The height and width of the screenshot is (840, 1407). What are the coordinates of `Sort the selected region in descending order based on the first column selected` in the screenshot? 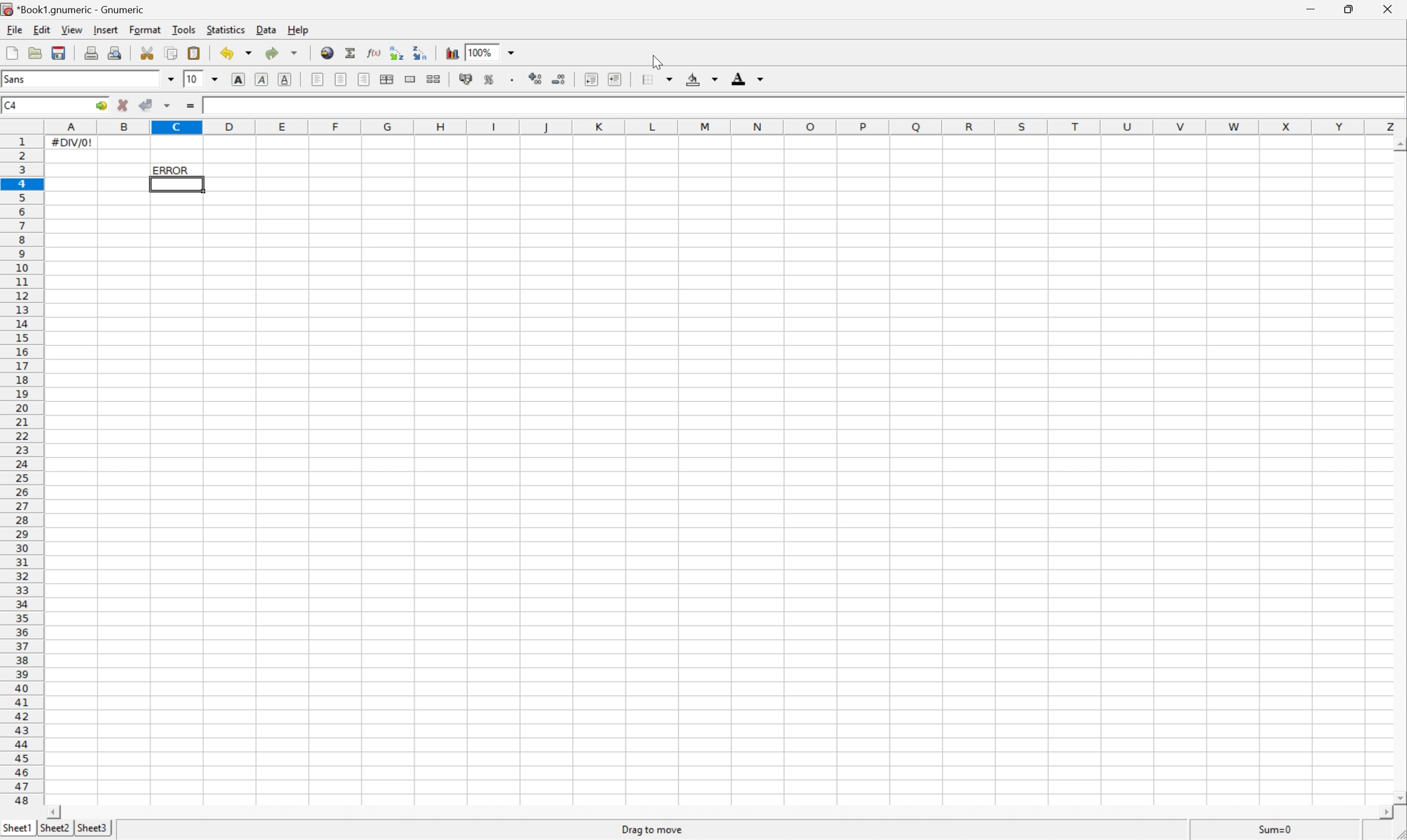 It's located at (421, 53).